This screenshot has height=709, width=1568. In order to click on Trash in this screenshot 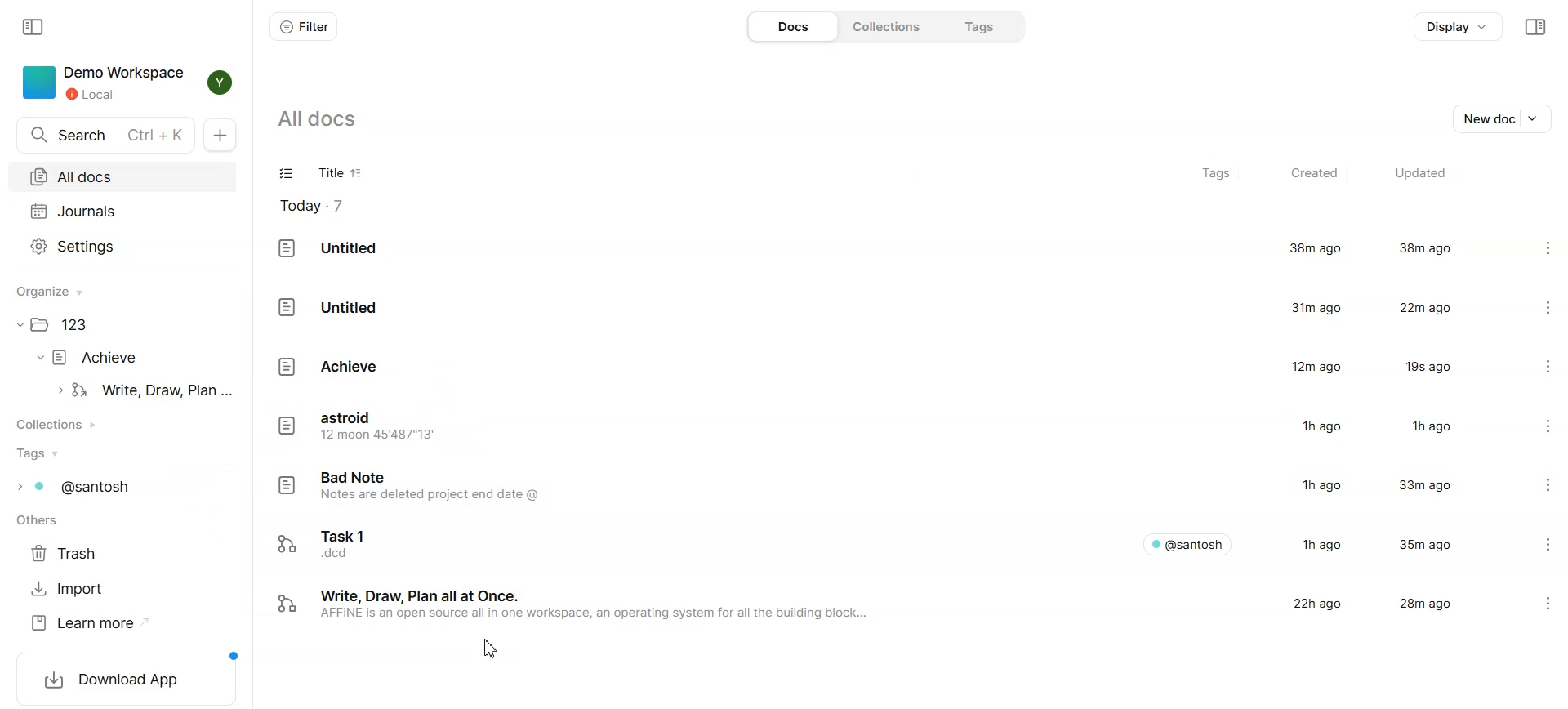, I will do `click(69, 554)`.